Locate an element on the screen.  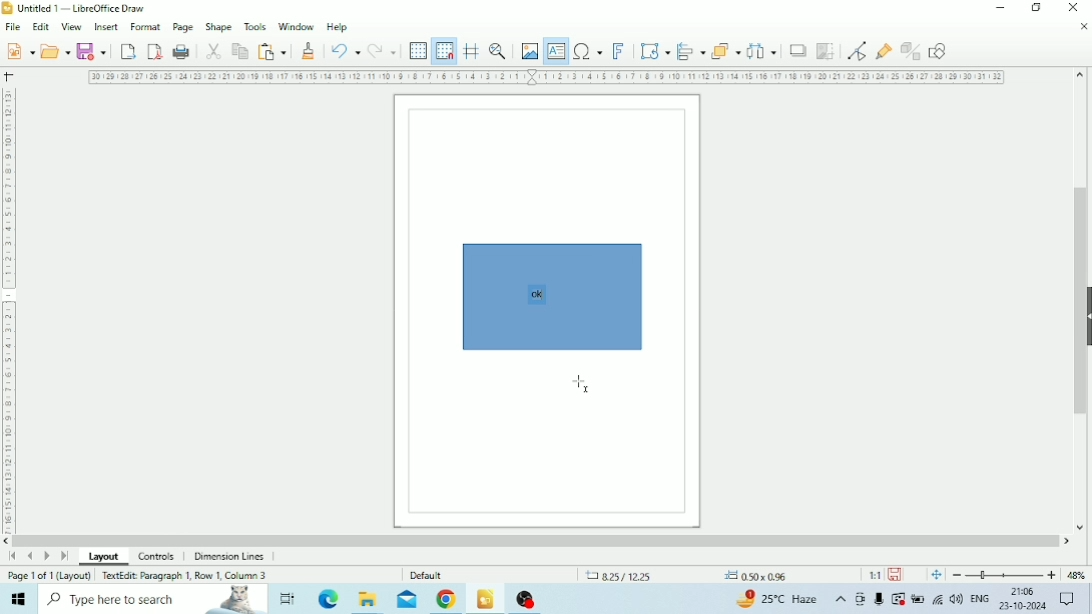
Language is located at coordinates (980, 597).